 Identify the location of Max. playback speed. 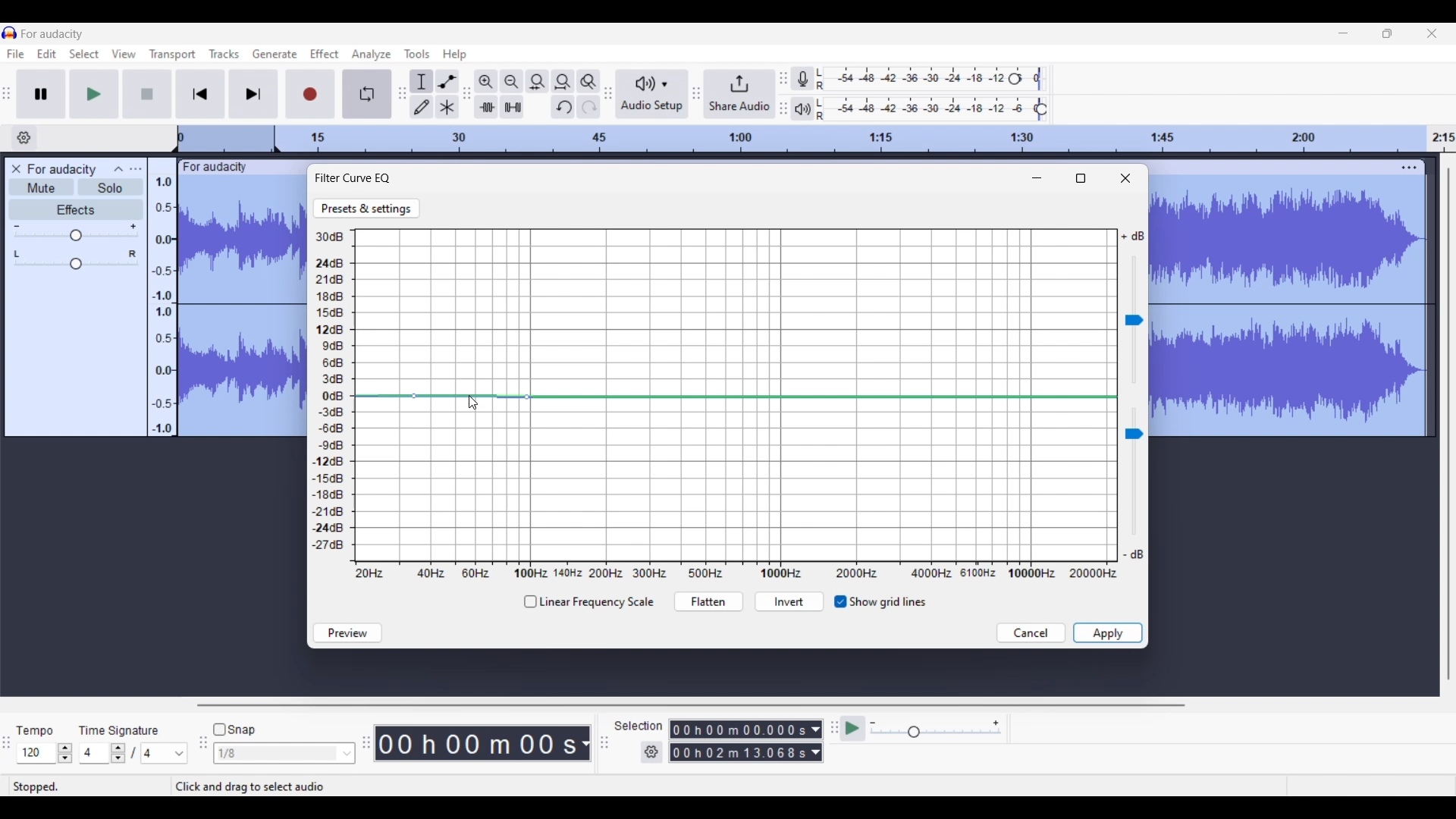
(996, 723).